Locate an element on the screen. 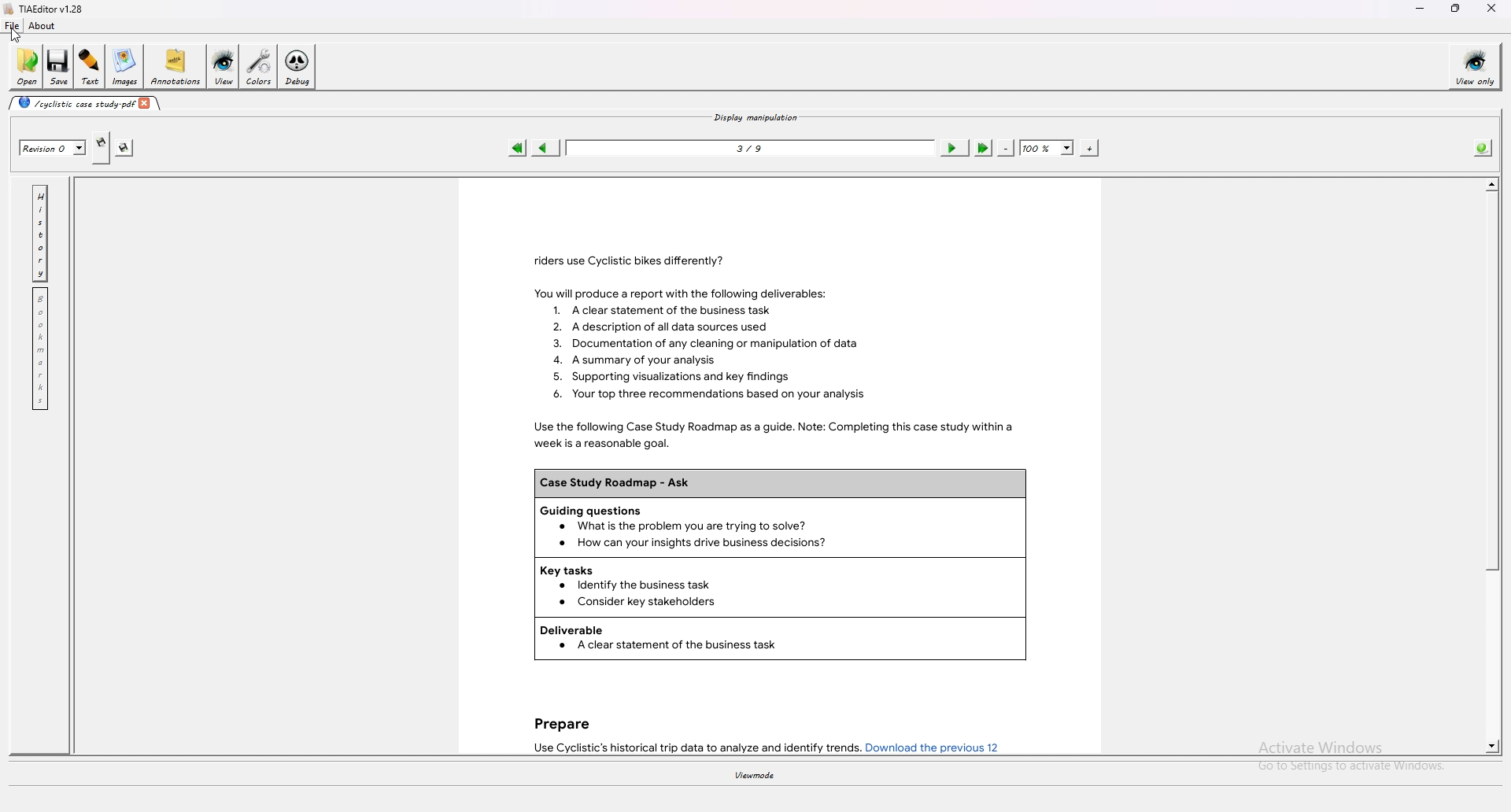 This screenshot has width=1511, height=812. Use Cyclistic’s historical trip data to analyze and identify trends. is located at coordinates (691, 747).